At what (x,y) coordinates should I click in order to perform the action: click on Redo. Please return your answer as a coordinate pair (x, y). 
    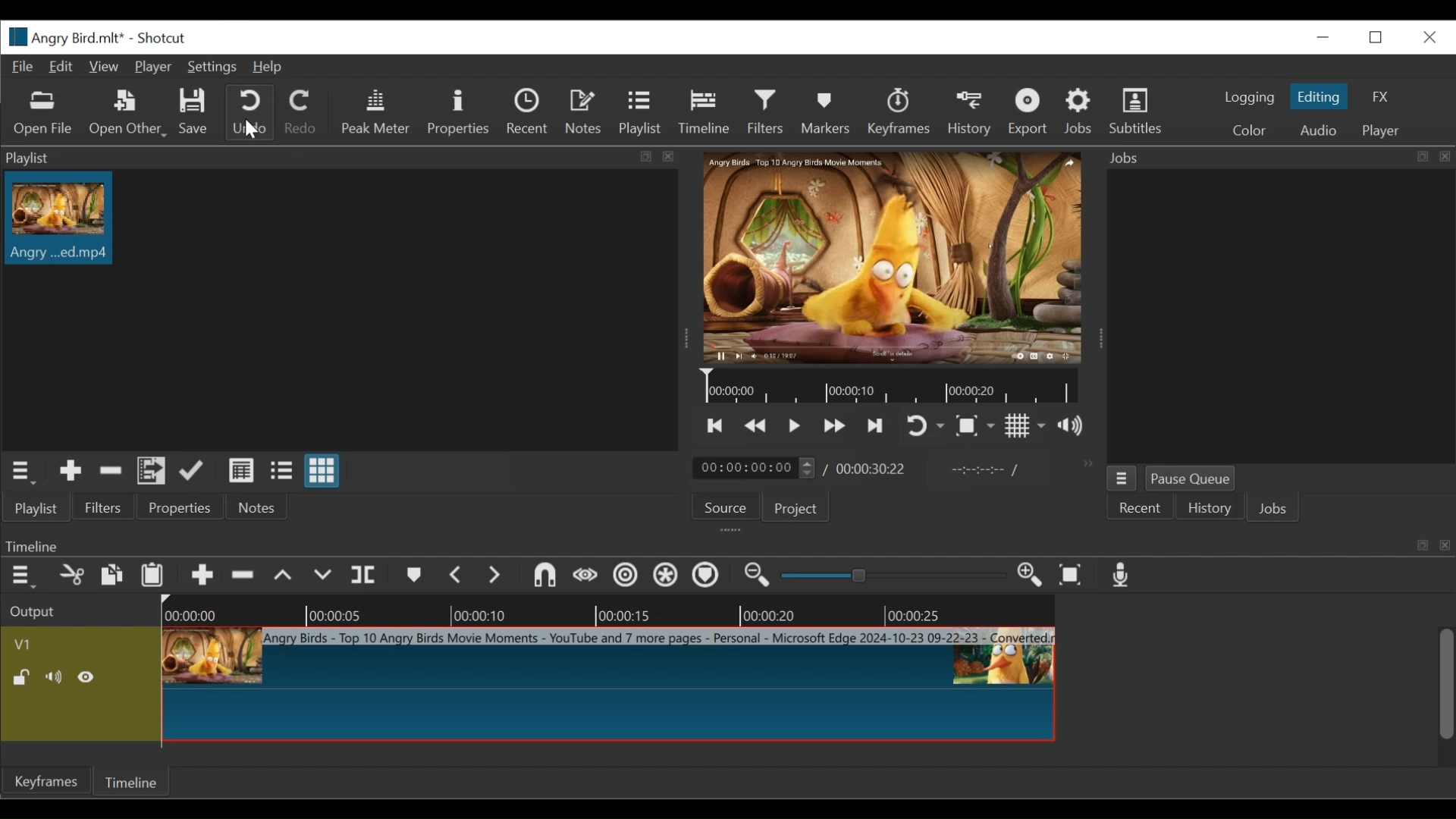
    Looking at the image, I should click on (299, 111).